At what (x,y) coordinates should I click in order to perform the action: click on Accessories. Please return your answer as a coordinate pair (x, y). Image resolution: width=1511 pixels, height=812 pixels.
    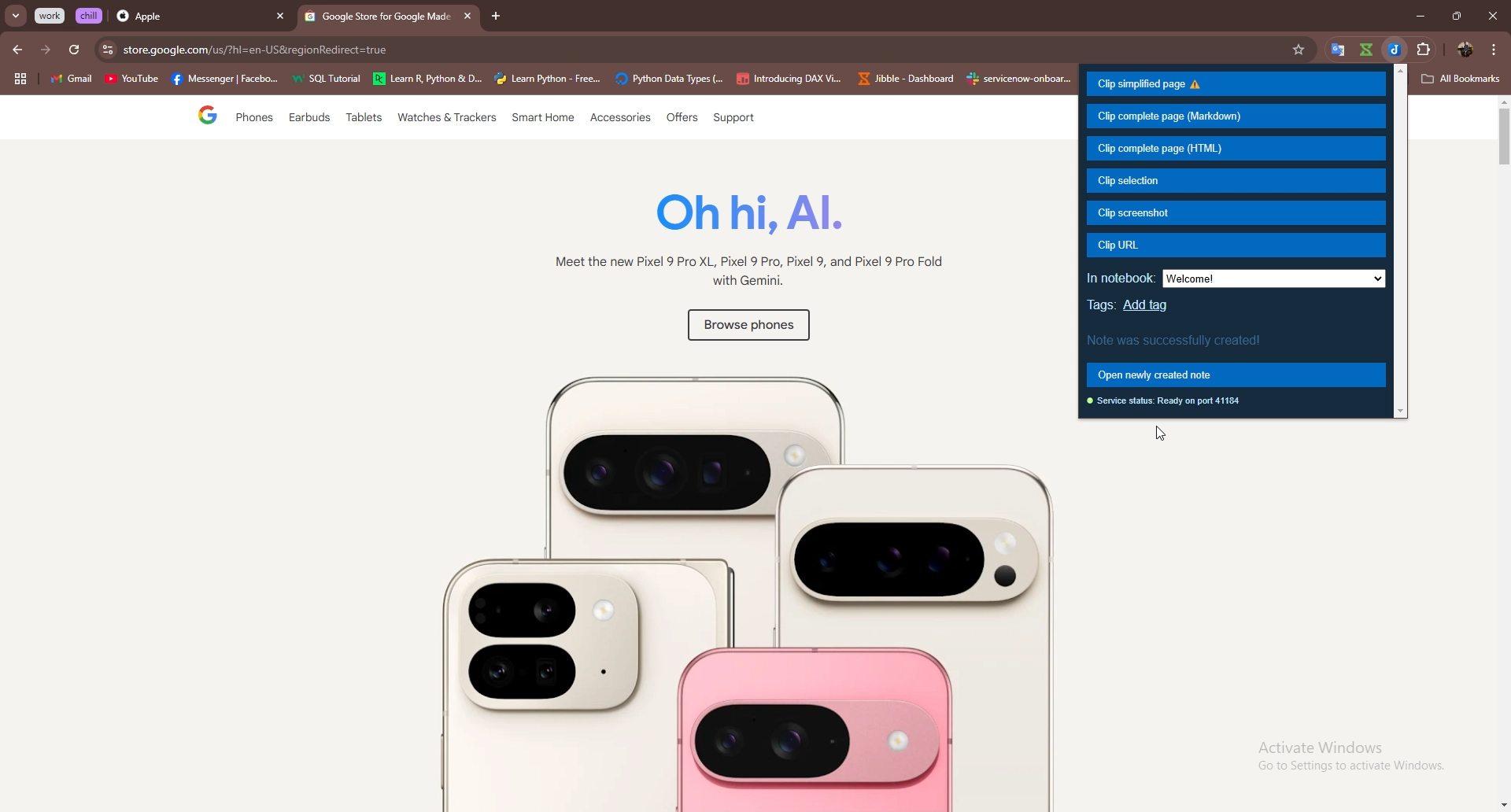
    Looking at the image, I should click on (622, 119).